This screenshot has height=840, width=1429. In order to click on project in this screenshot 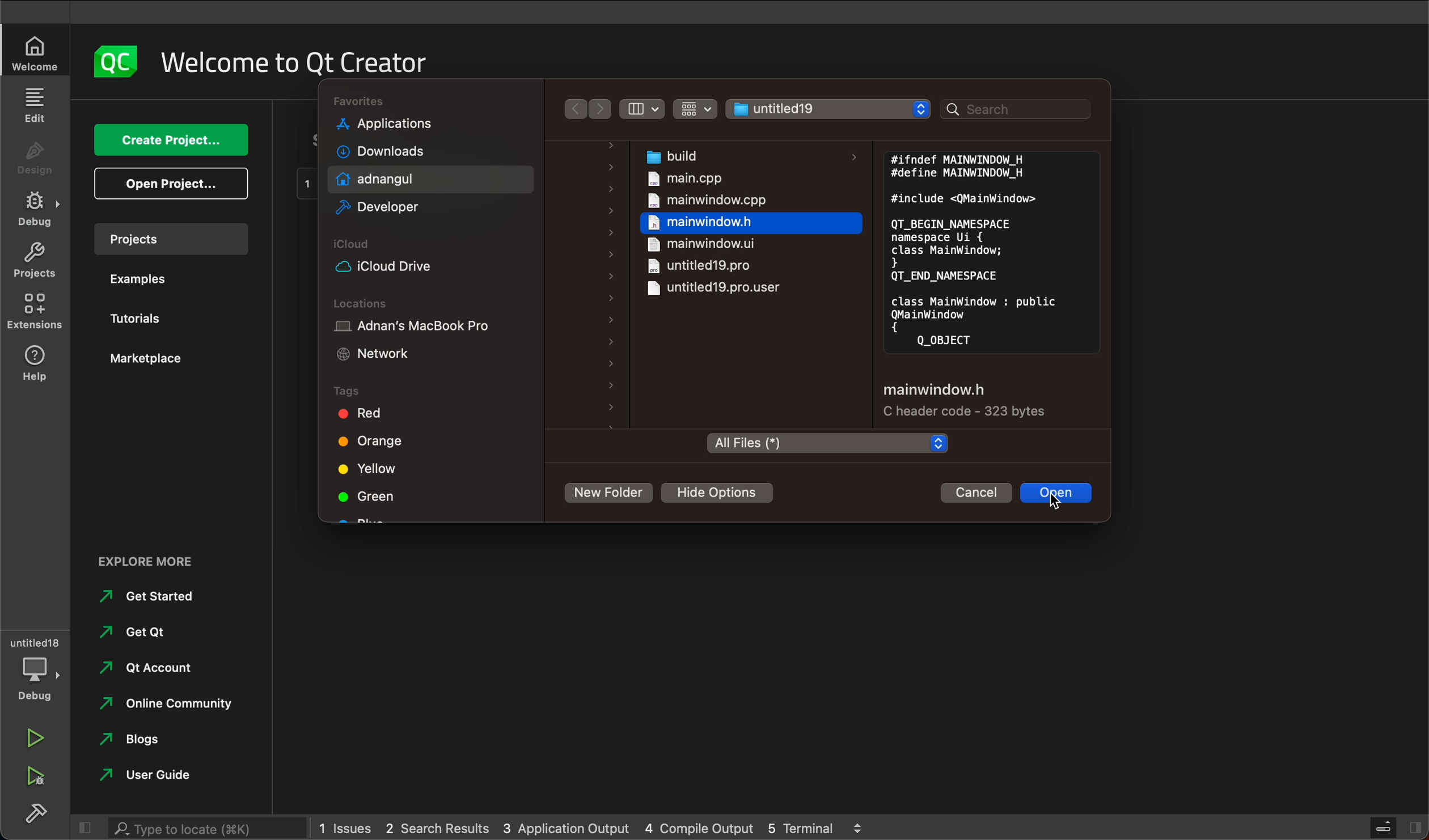, I will do `click(177, 240)`.